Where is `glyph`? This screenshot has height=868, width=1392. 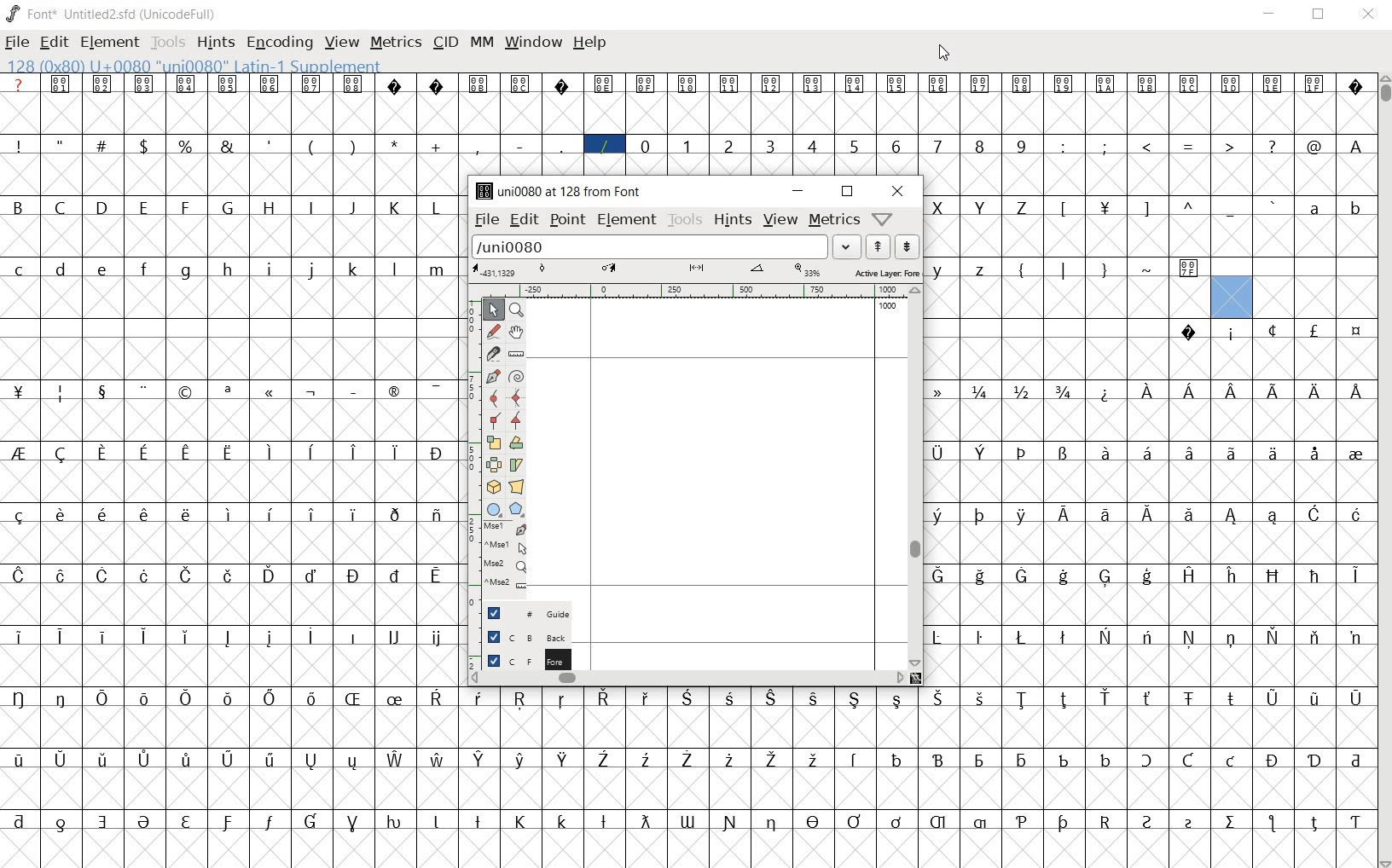
glyph is located at coordinates (1105, 271).